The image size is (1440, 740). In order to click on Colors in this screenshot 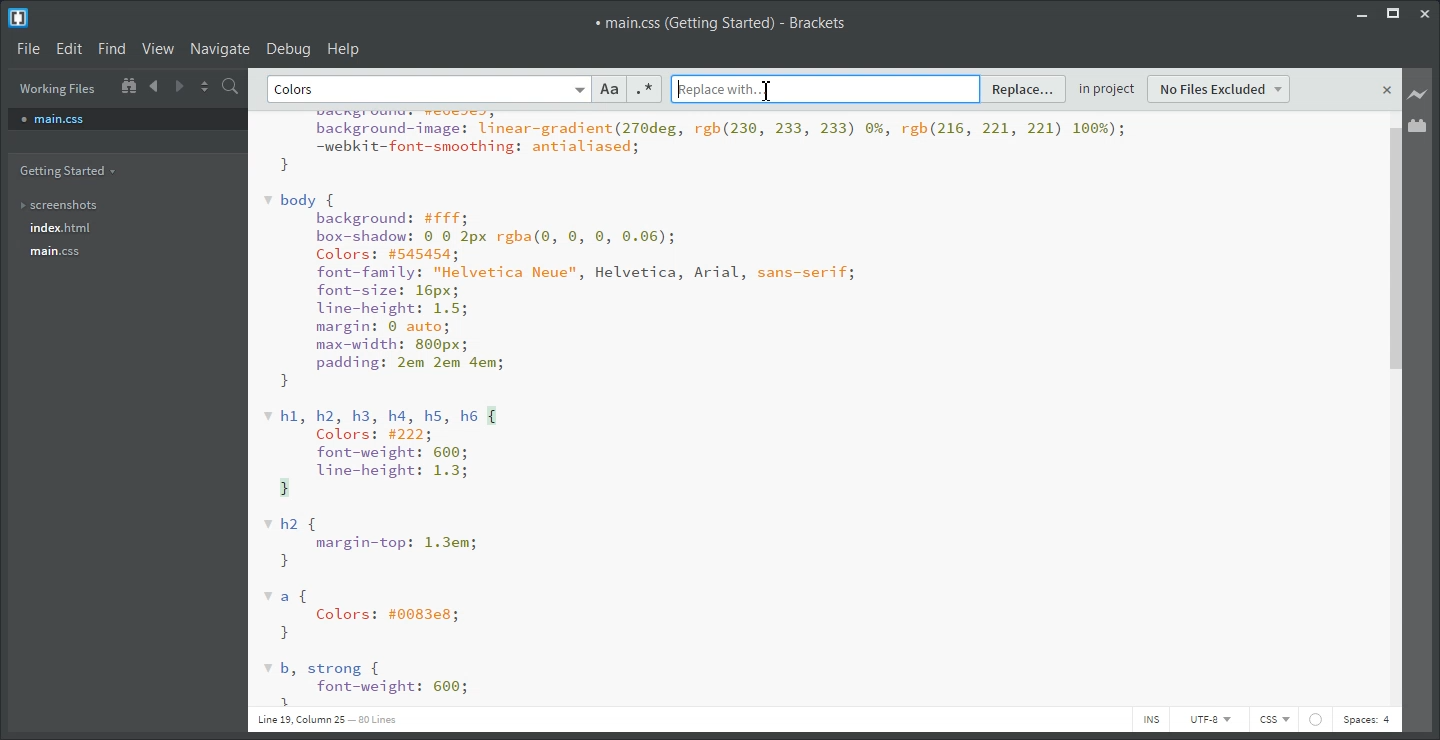, I will do `click(298, 90)`.